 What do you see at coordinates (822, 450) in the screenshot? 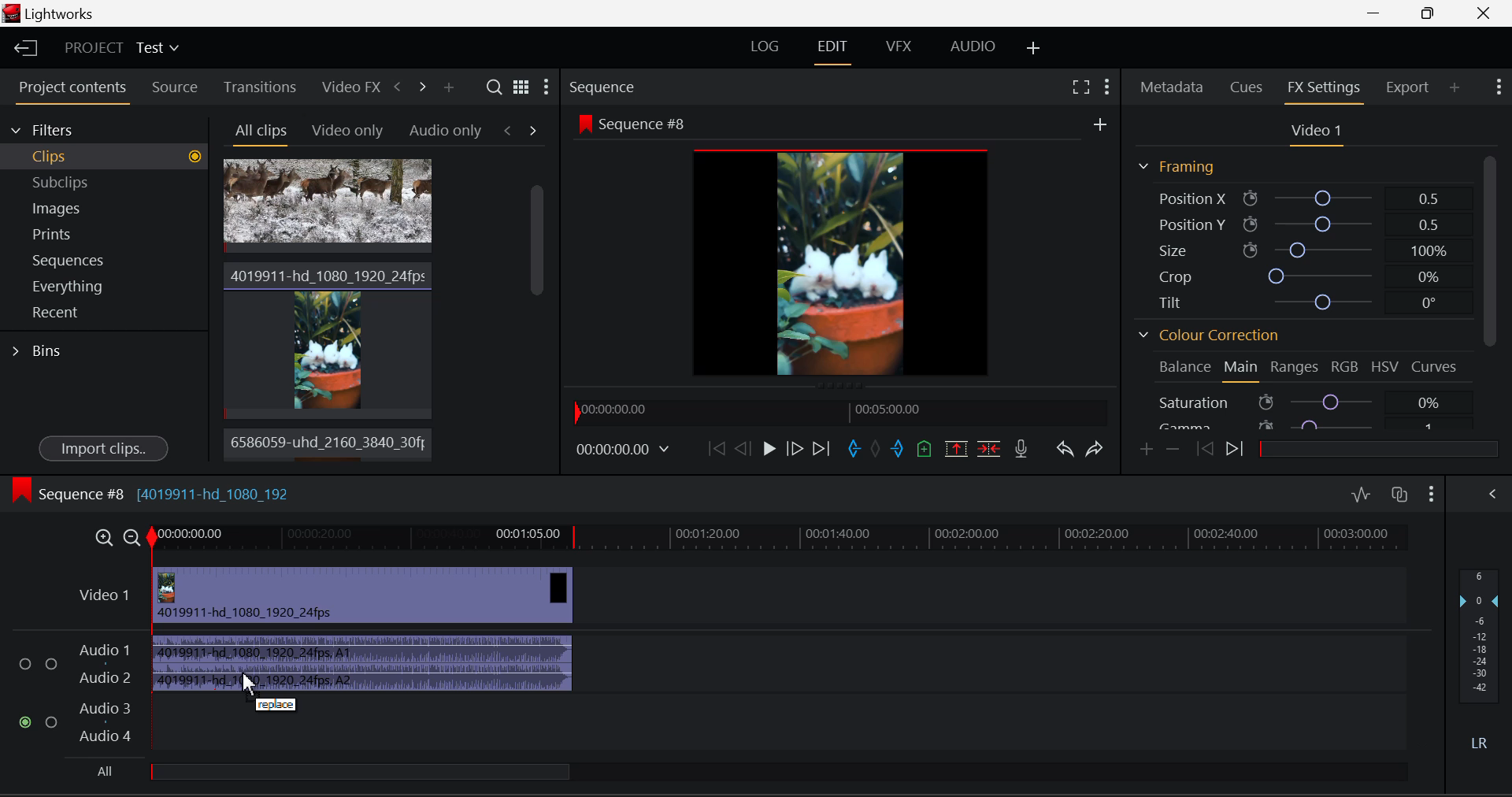
I see `To End` at bounding box center [822, 450].